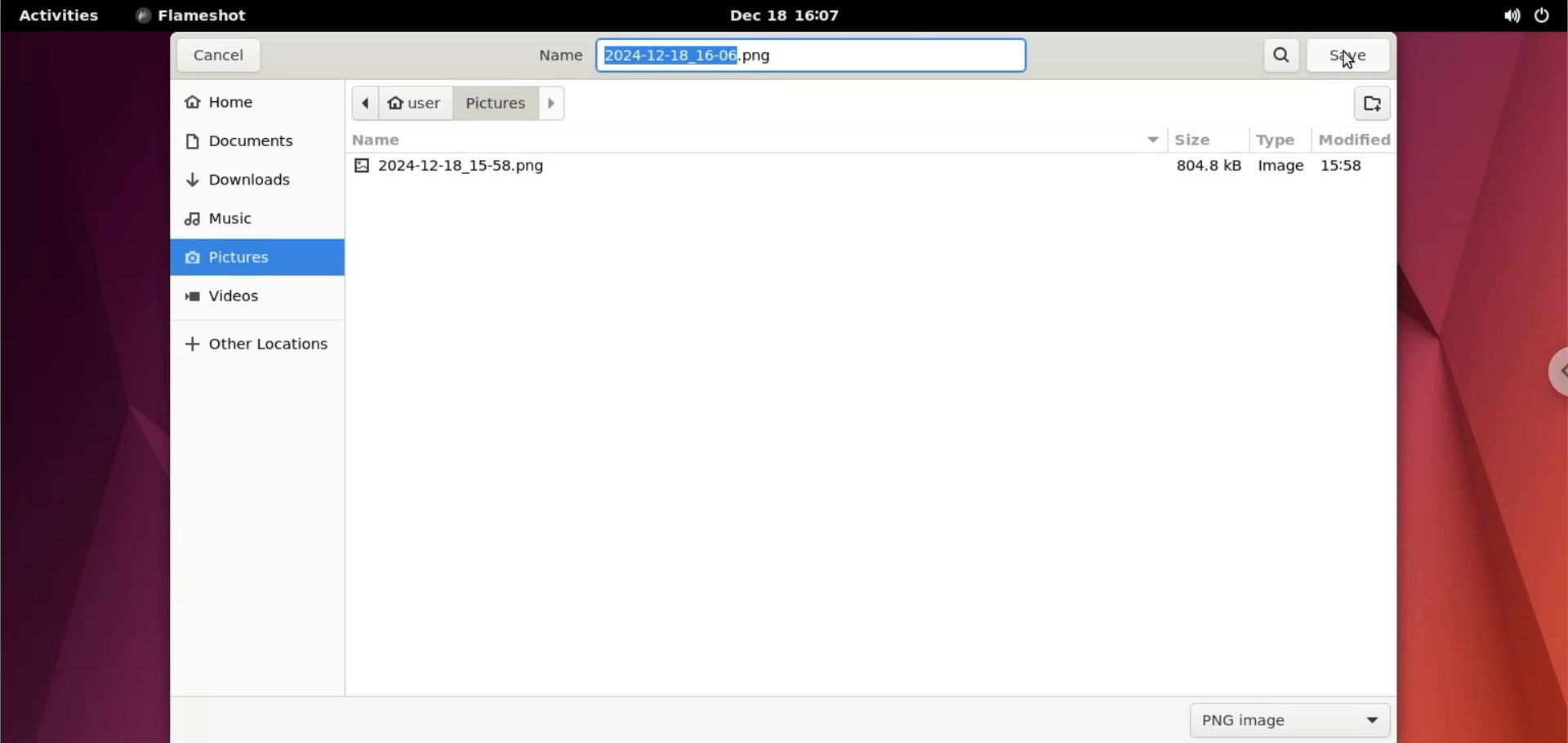 The width and height of the screenshot is (1568, 743). I want to click on new folder, so click(1374, 104).